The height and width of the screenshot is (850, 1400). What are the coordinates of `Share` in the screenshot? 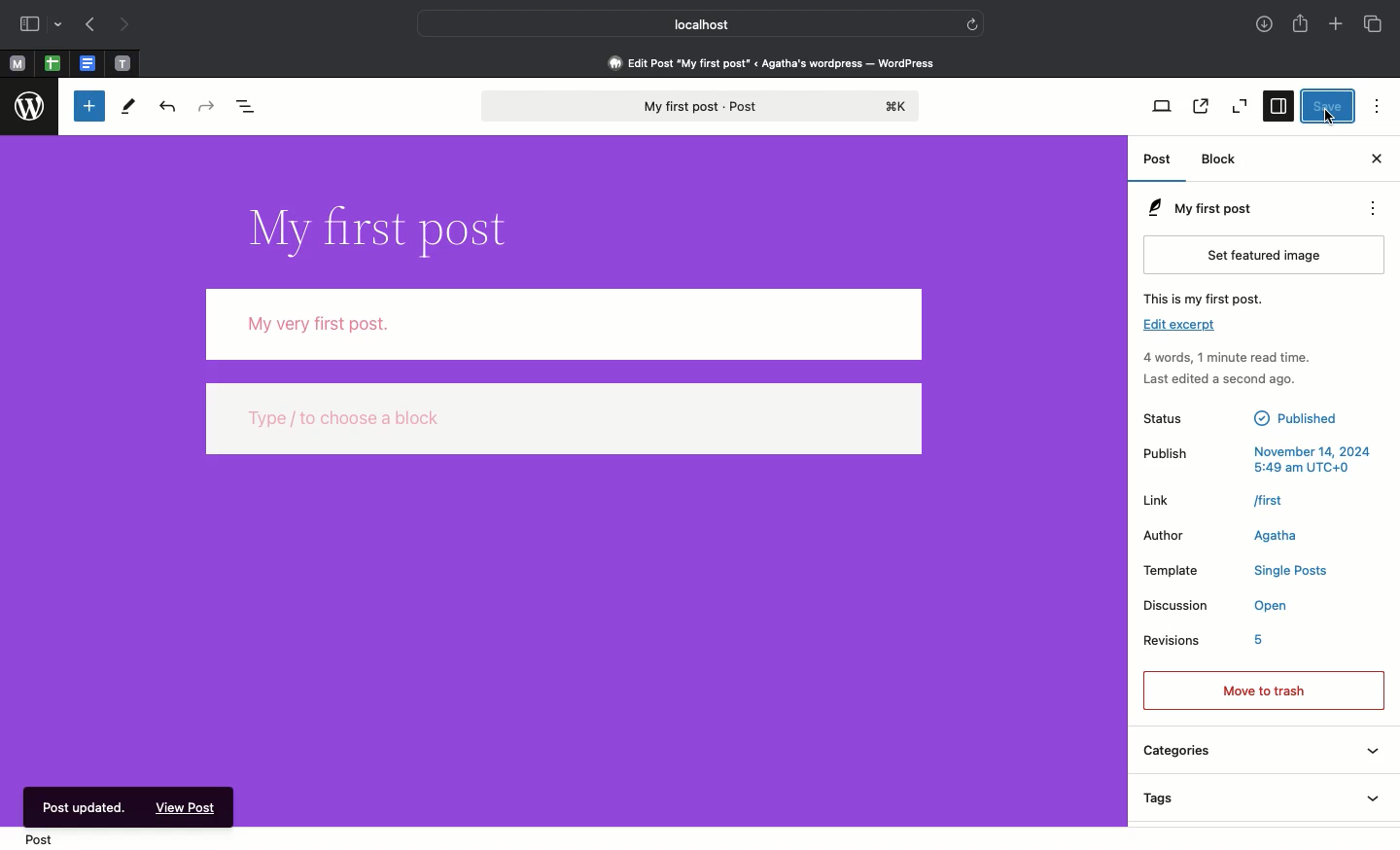 It's located at (1303, 25).